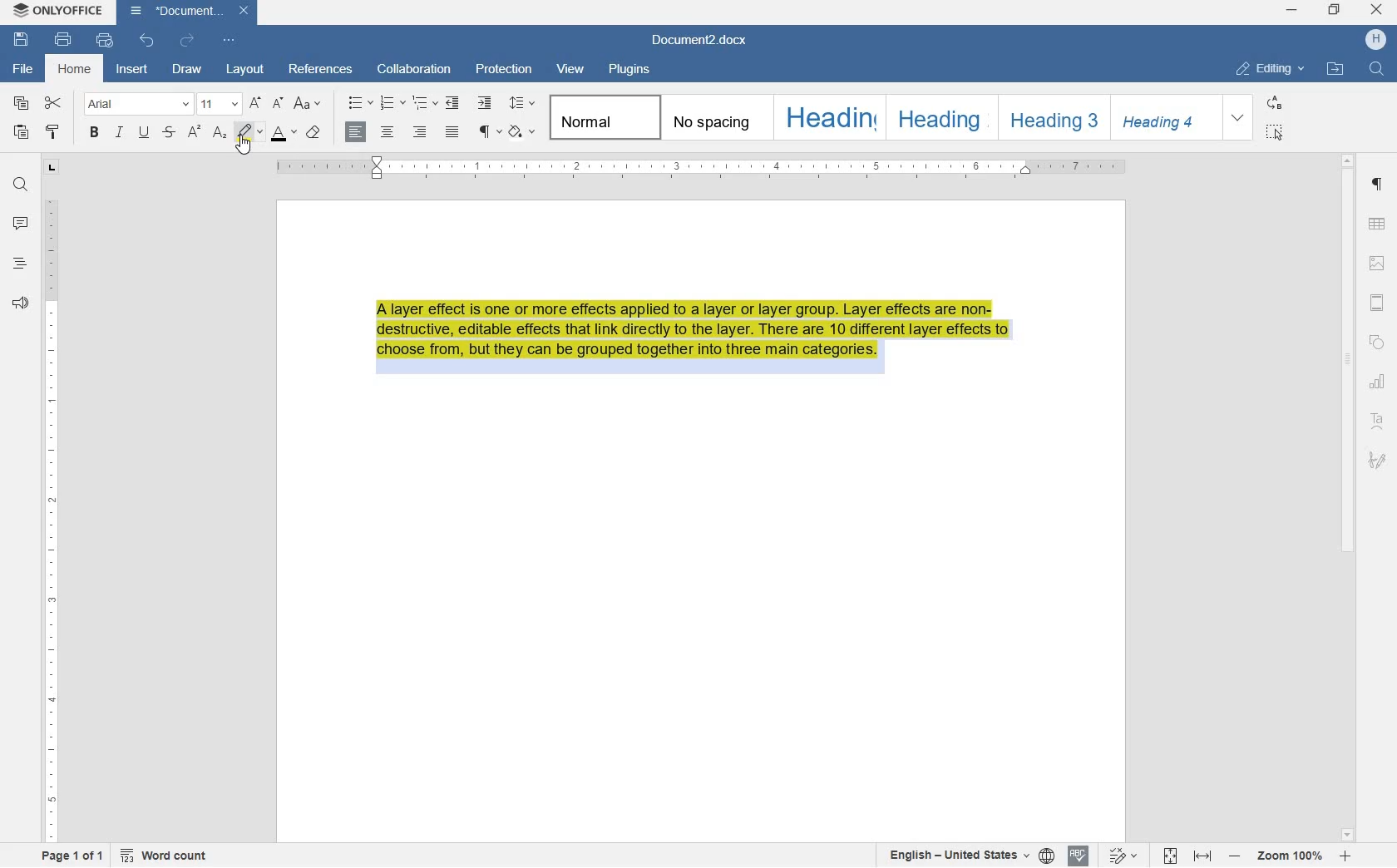 This screenshot has width=1397, height=868. What do you see at coordinates (359, 104) in the screenshot?
I see `BULLETS` at bounding box center [359, 104].